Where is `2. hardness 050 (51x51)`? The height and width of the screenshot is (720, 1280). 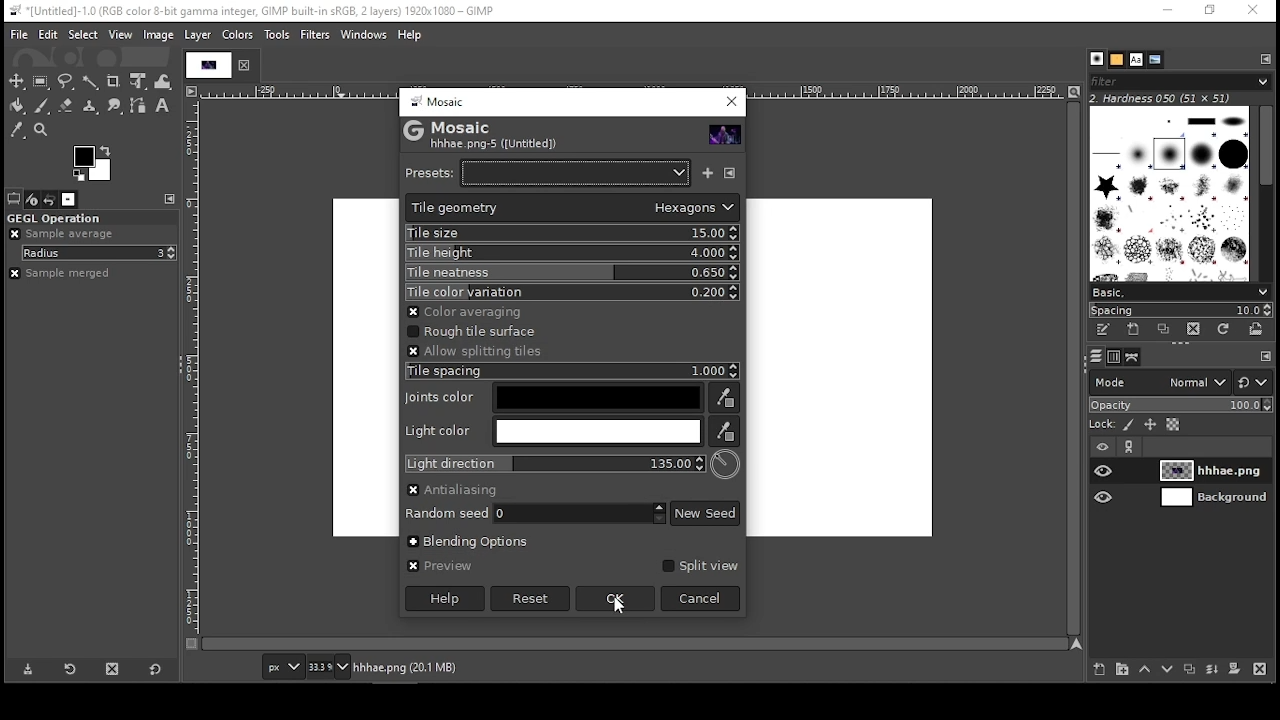 2. hardness 050 (51x51) is located at coordinates (1180, 98).